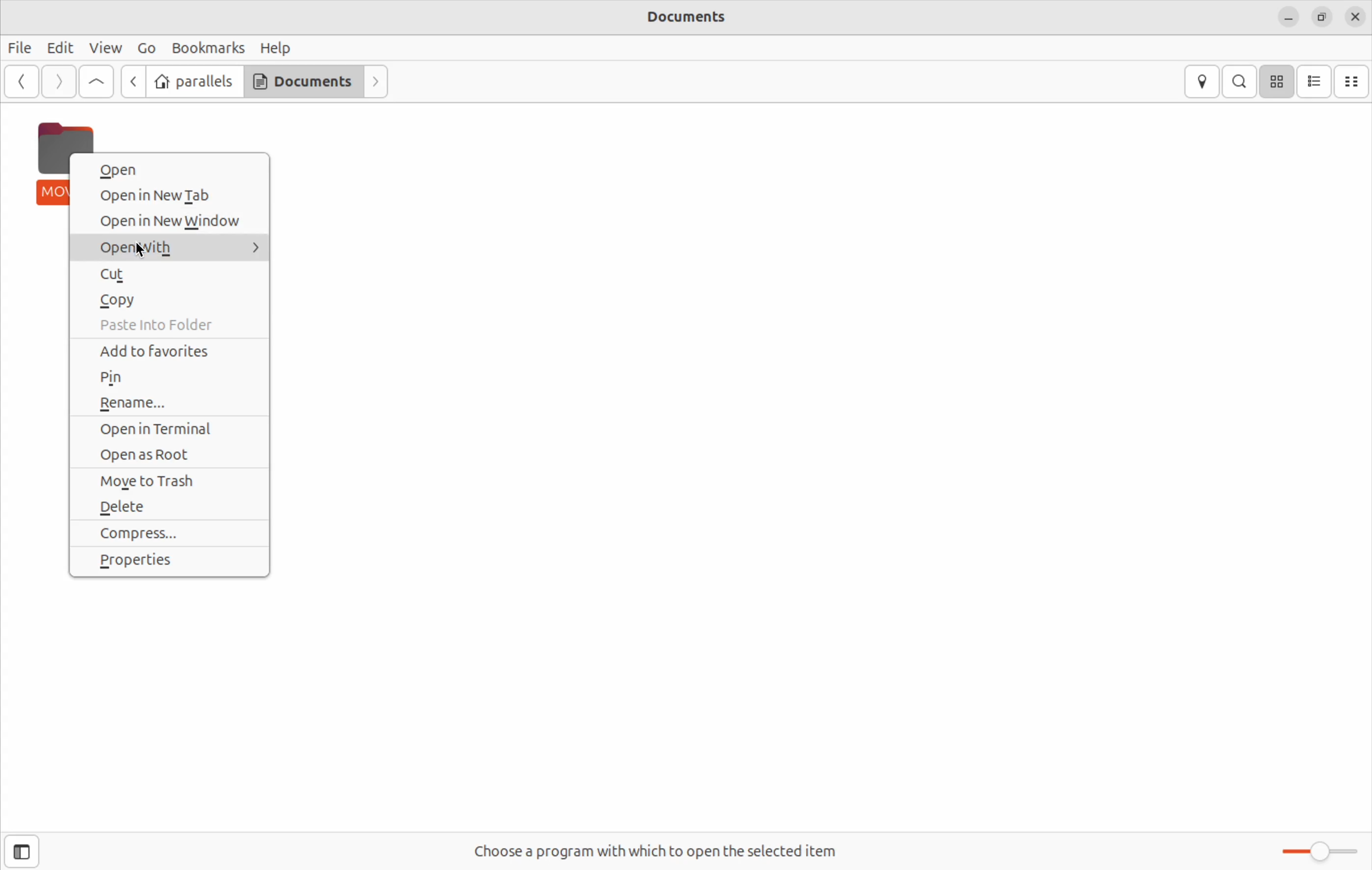 The height and width of the screenshot is (870, 1372). Describe the element at coordinates (169, 455) in the screenshot. I see `open as root` at that location.